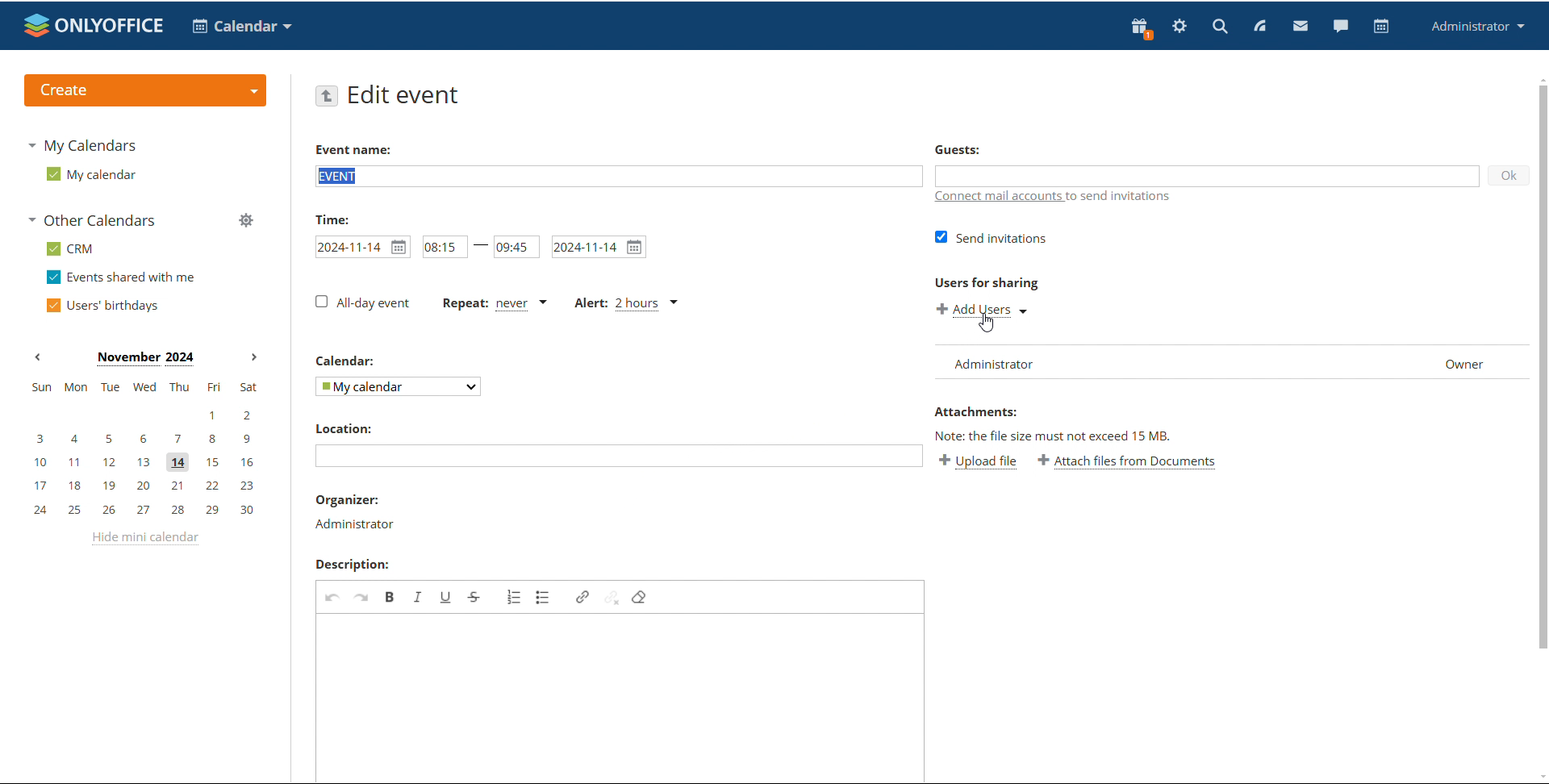  I want to click on settings, so click(1180, 27).